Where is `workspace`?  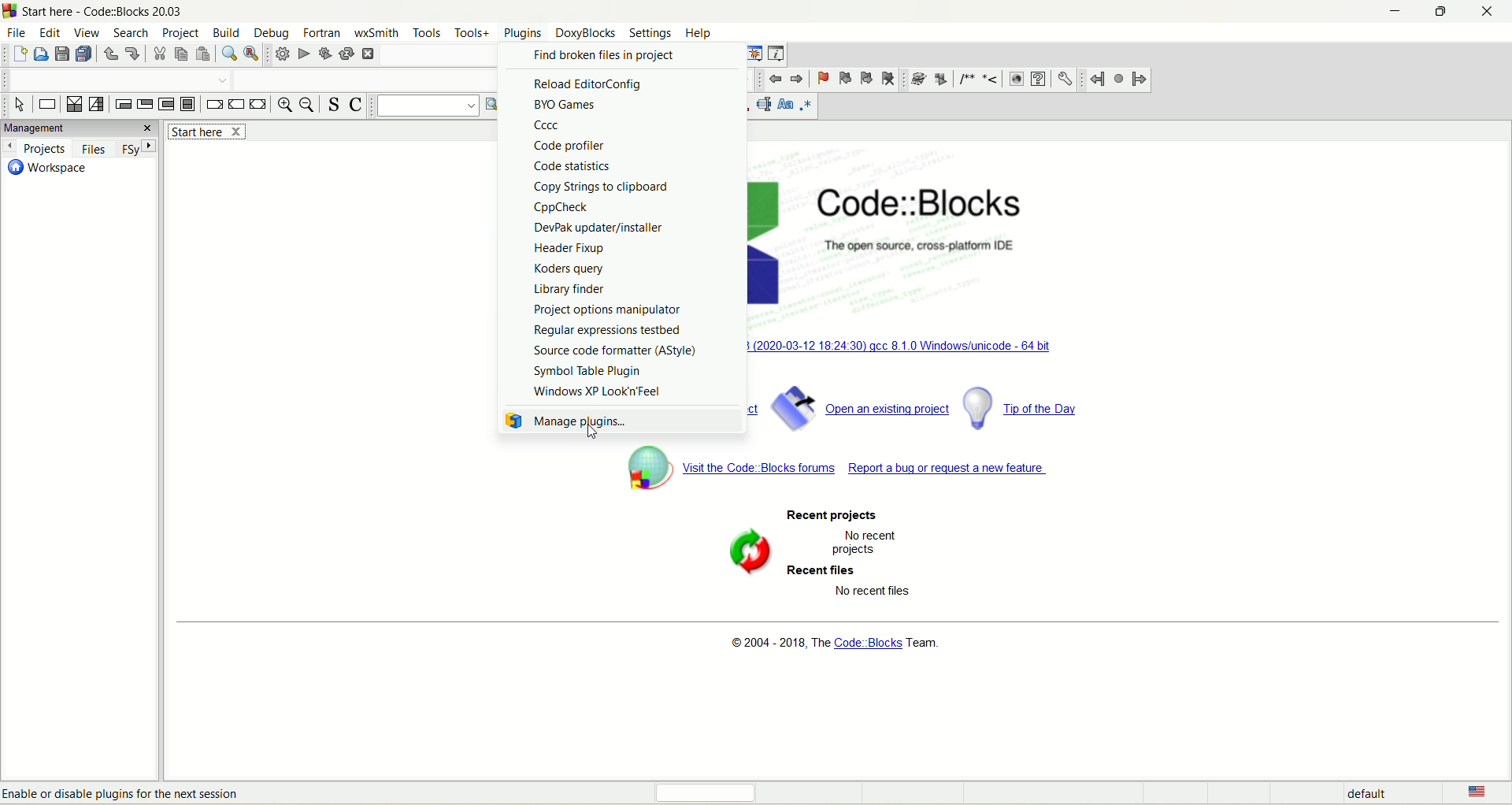
workspace is located at coordinates (46, 169).